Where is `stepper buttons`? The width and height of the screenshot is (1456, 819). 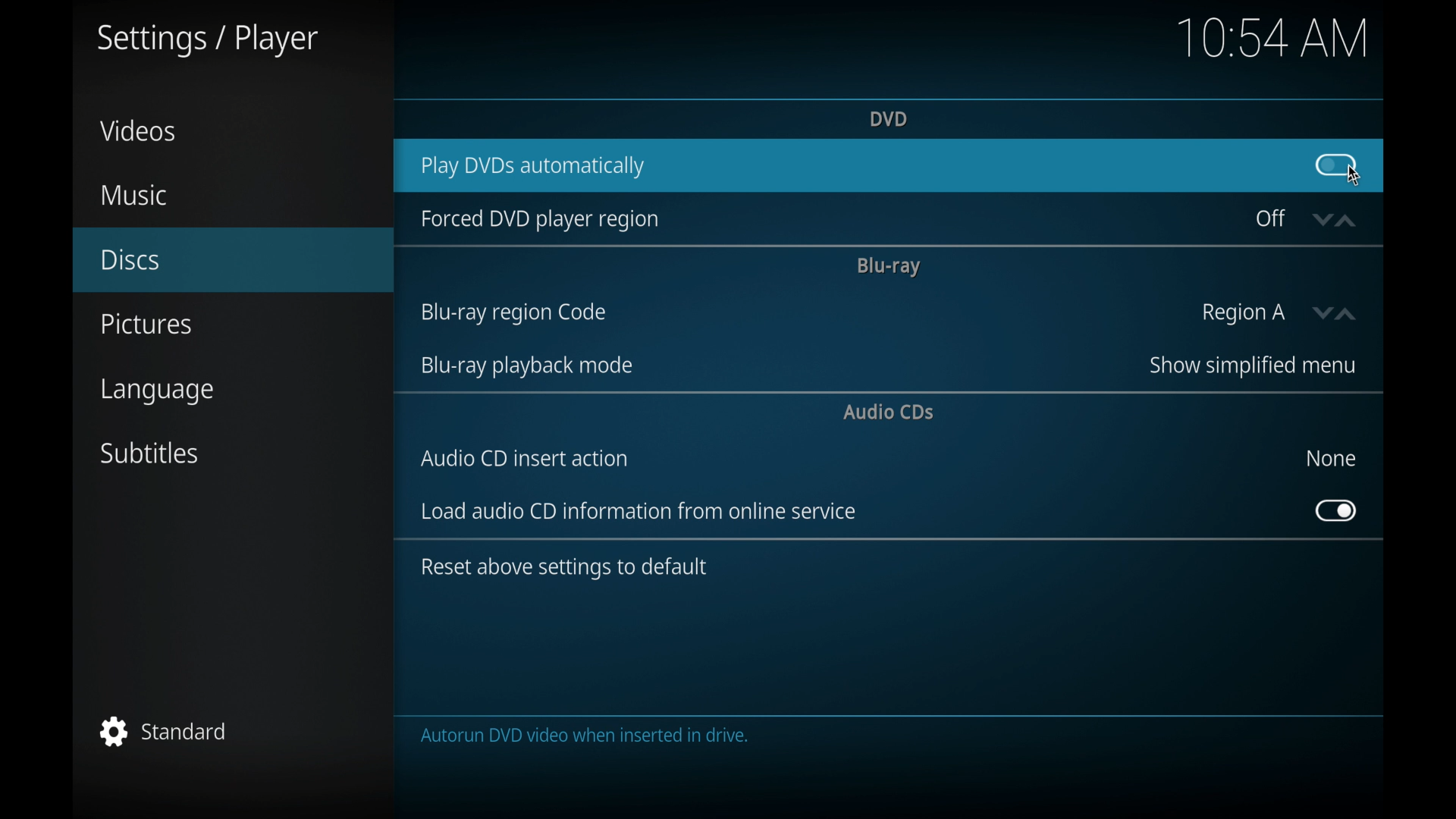
stepper buttons is located at coordinates (1333, 221).